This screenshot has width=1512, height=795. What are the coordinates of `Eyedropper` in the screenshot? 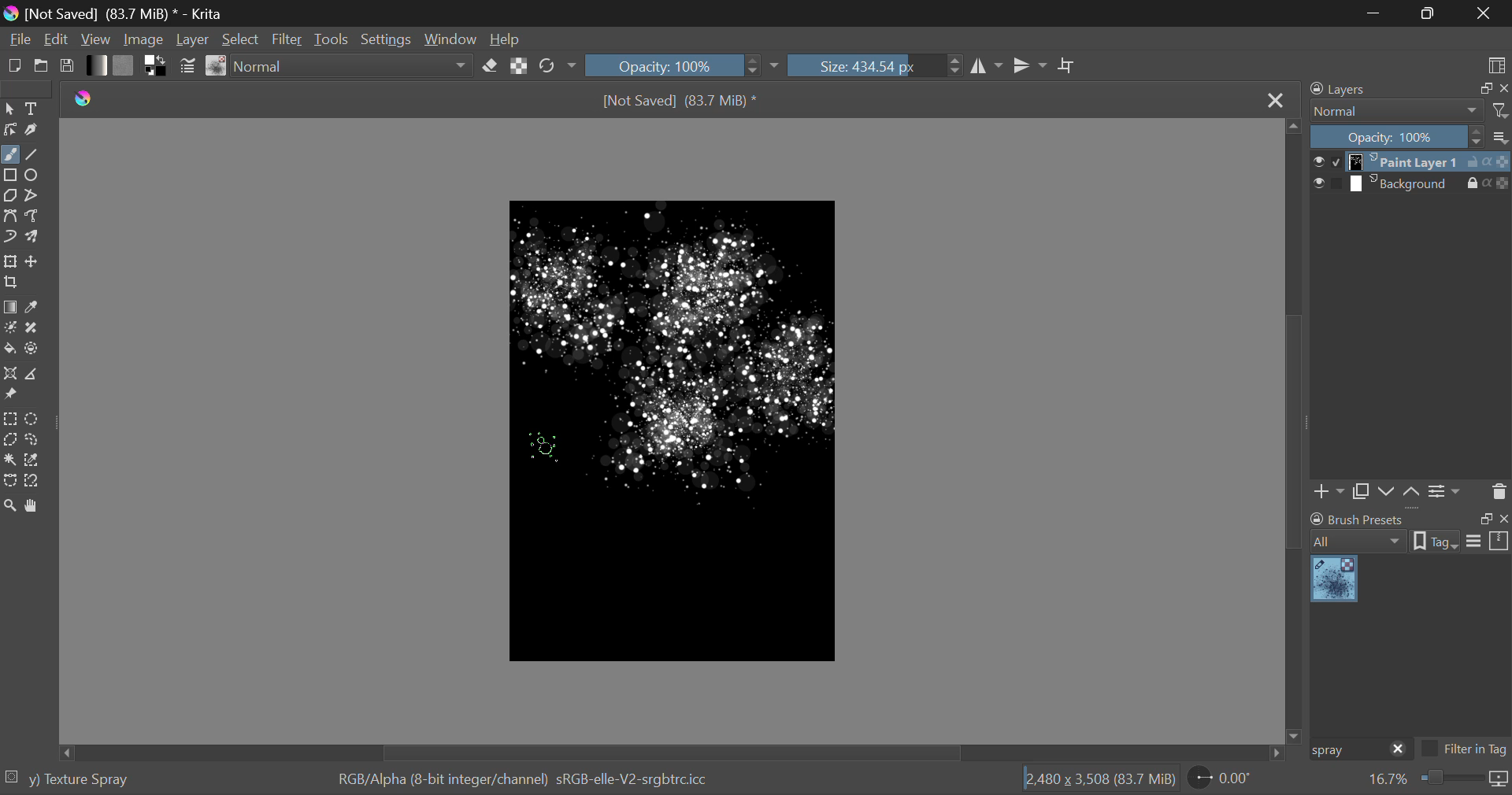 It's located at (34, 309).